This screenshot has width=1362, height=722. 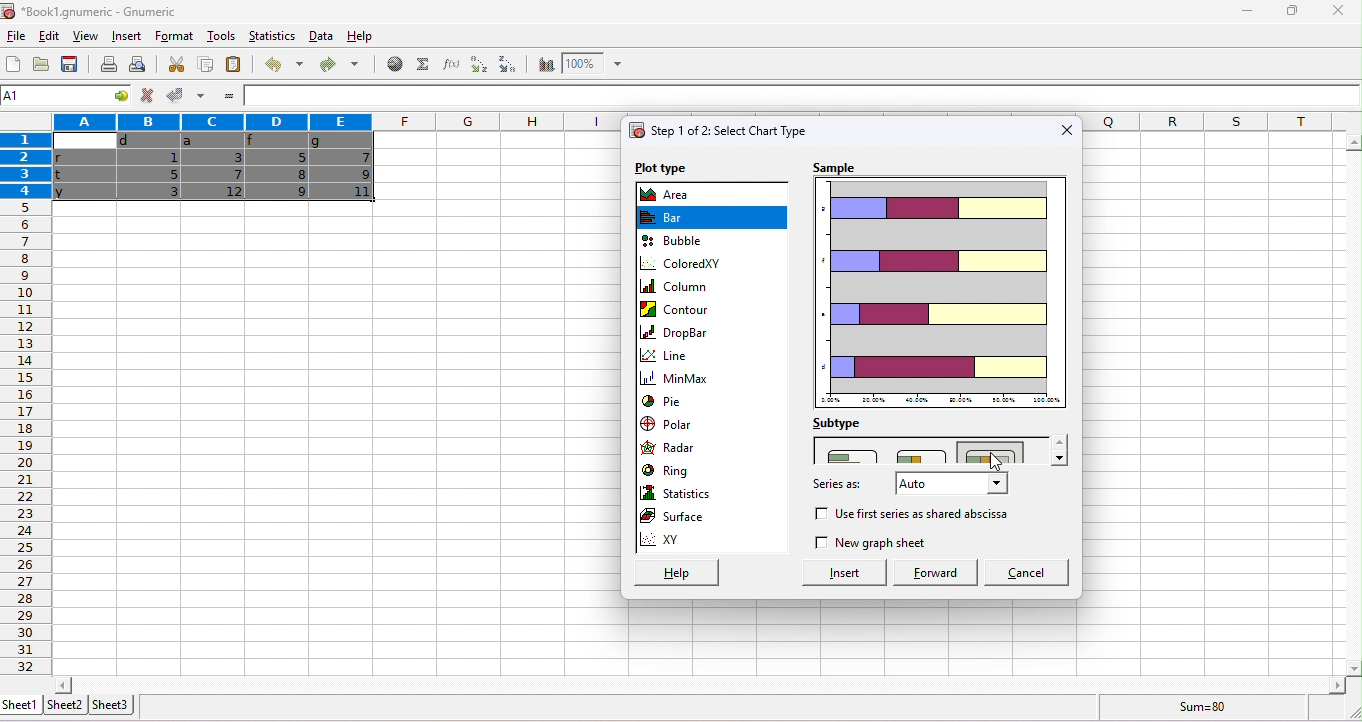 What do you see at coordinates (1200, 710) in the screenshot?
I see `sum=80` at bounding box center [1200, 710].